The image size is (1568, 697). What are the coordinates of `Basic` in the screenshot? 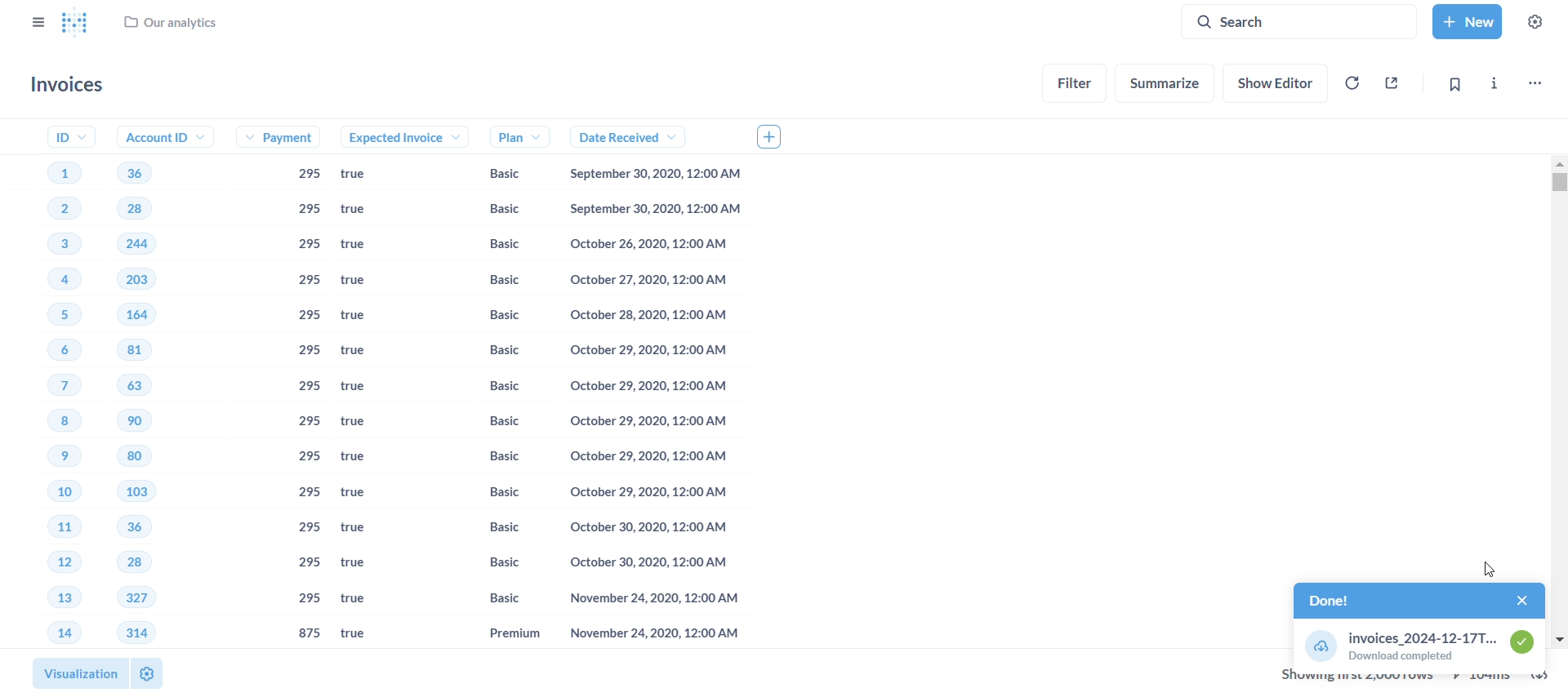 It's located at (492, 282).